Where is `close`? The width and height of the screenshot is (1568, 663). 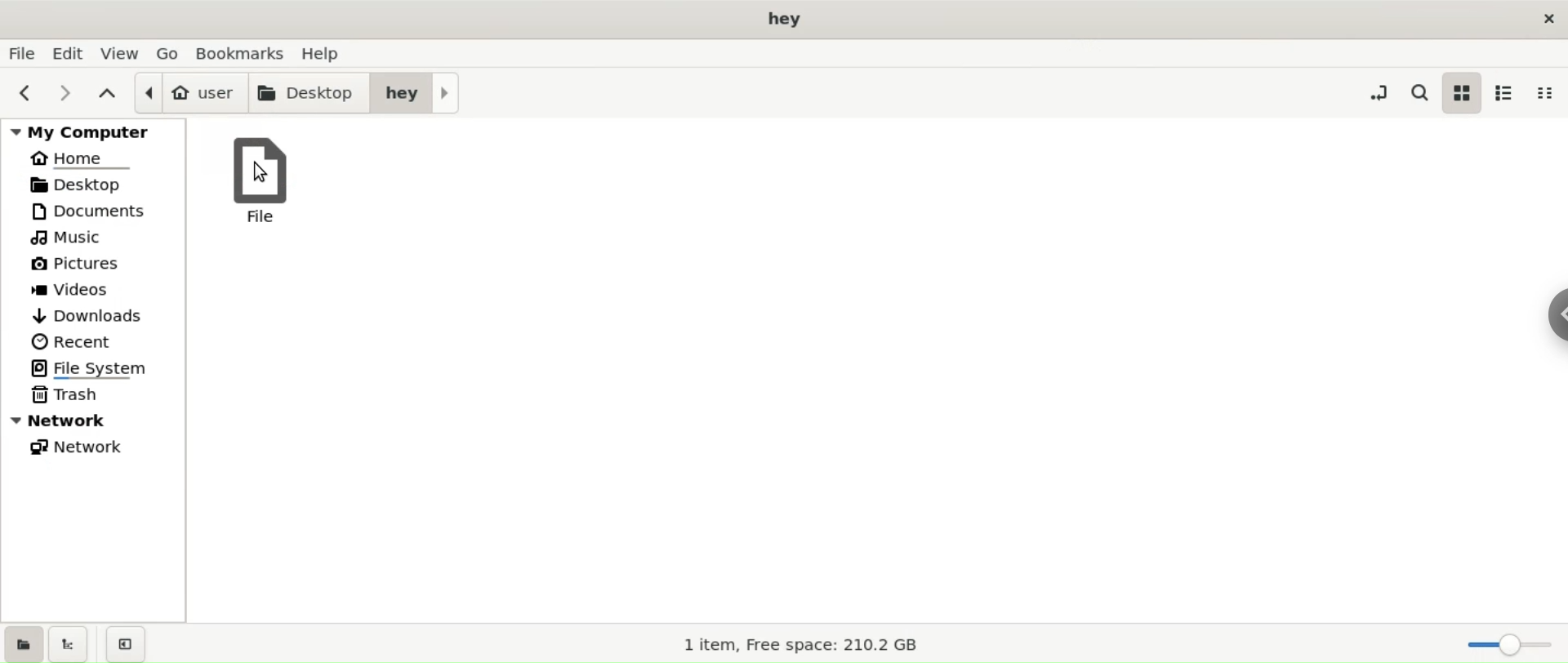 close is located at coordinates (1546, 16).